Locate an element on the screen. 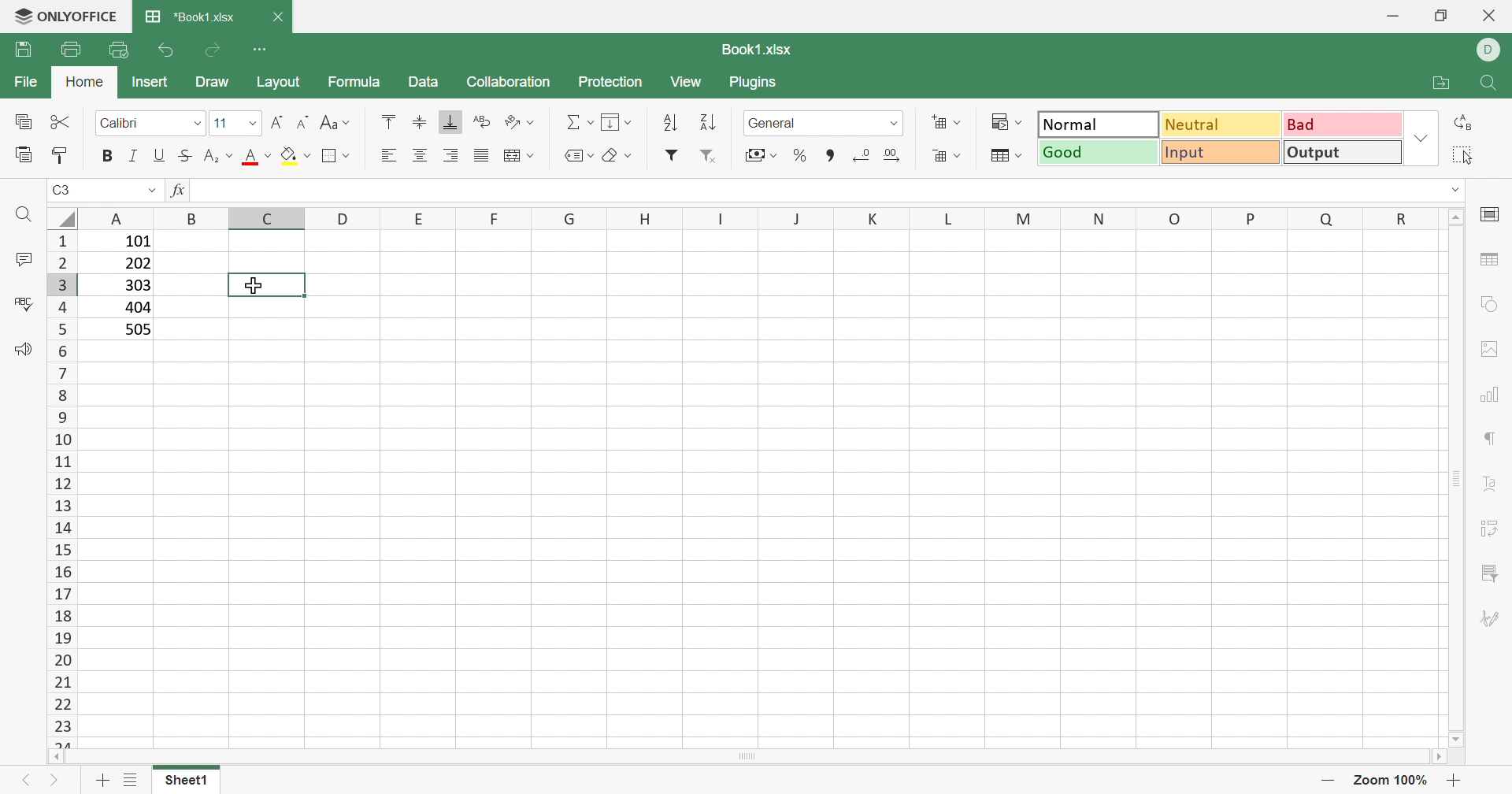  Save is located at coordinates (23, 51).